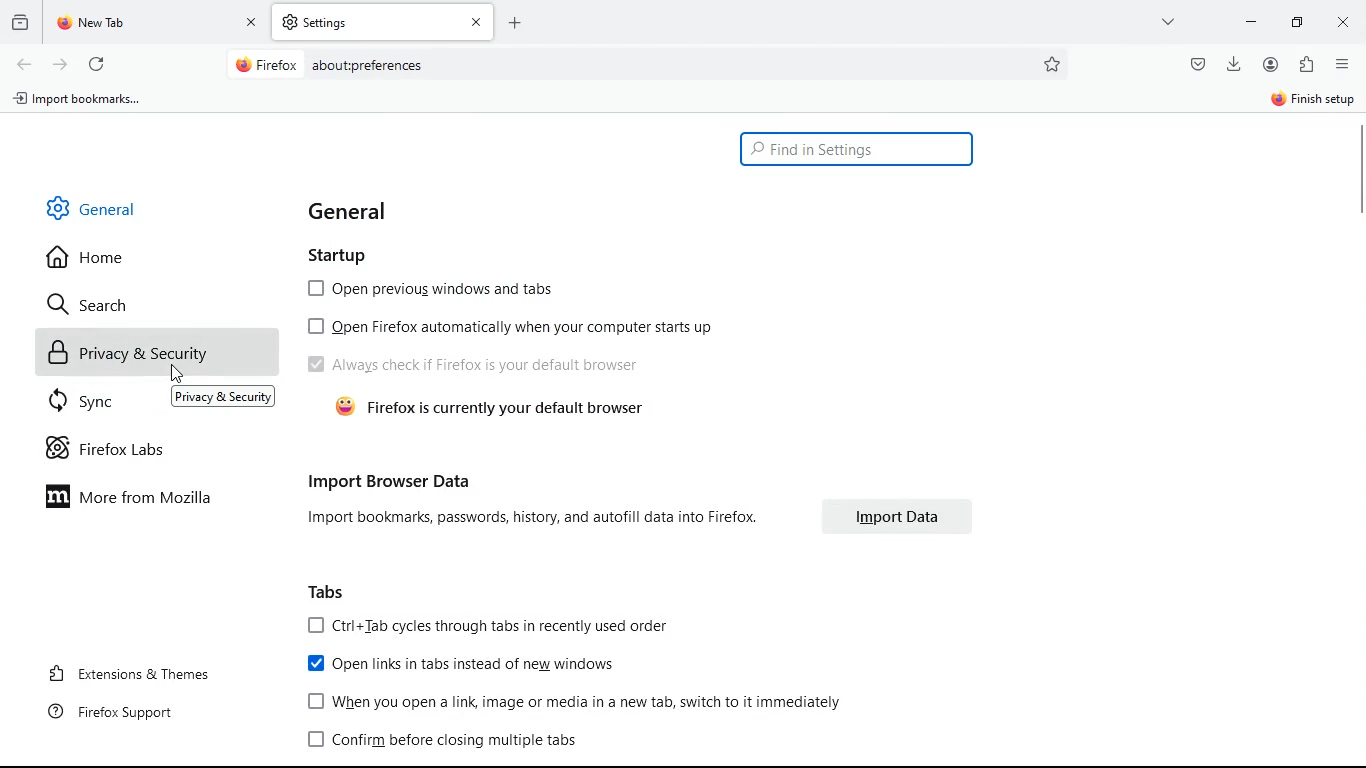 This screenshot has height=768, width=1366. I want to click on firefox labs, so click(126, 453).